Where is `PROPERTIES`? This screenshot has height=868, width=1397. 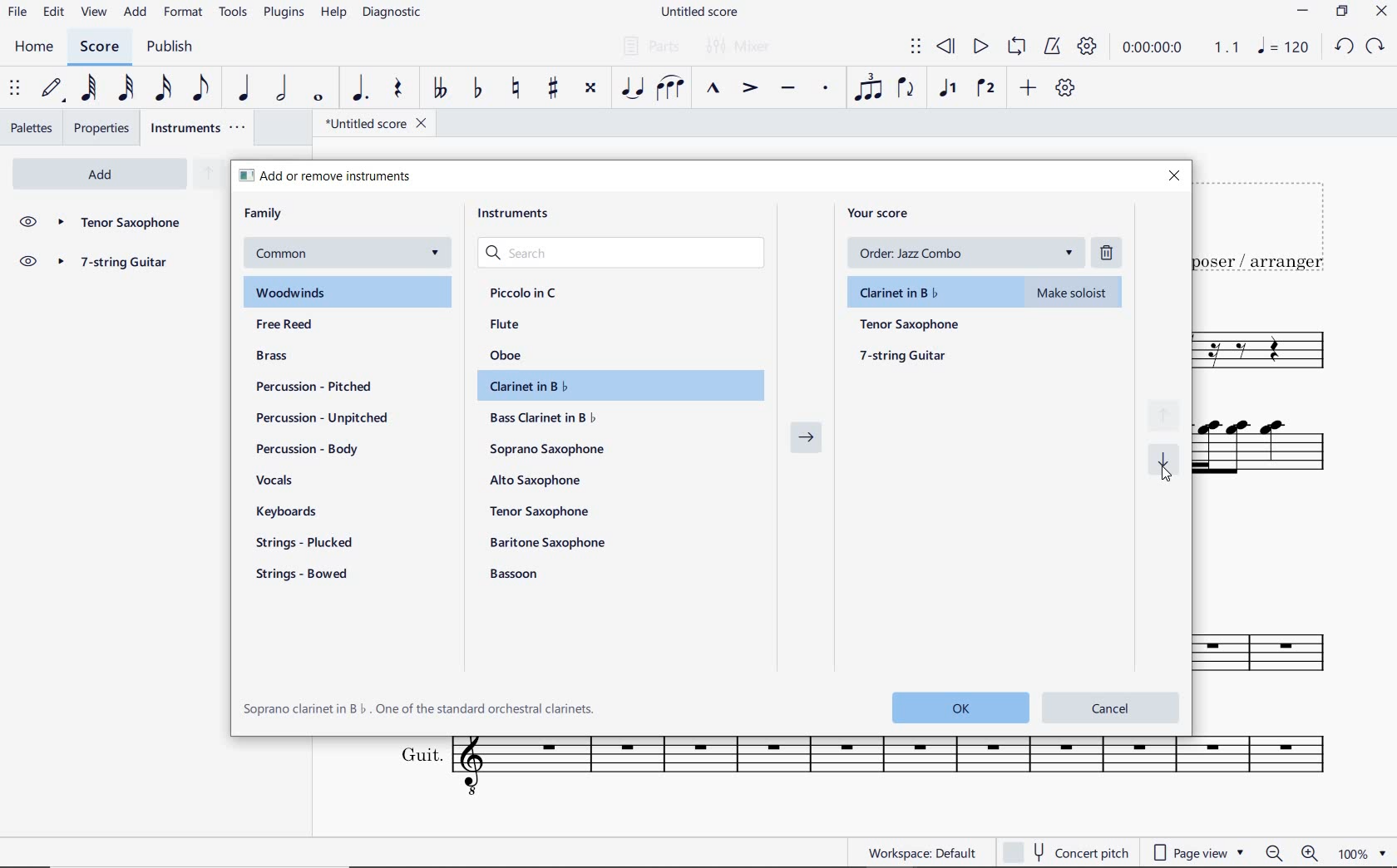 PROPERTIES is located at coordinates (105, 128).